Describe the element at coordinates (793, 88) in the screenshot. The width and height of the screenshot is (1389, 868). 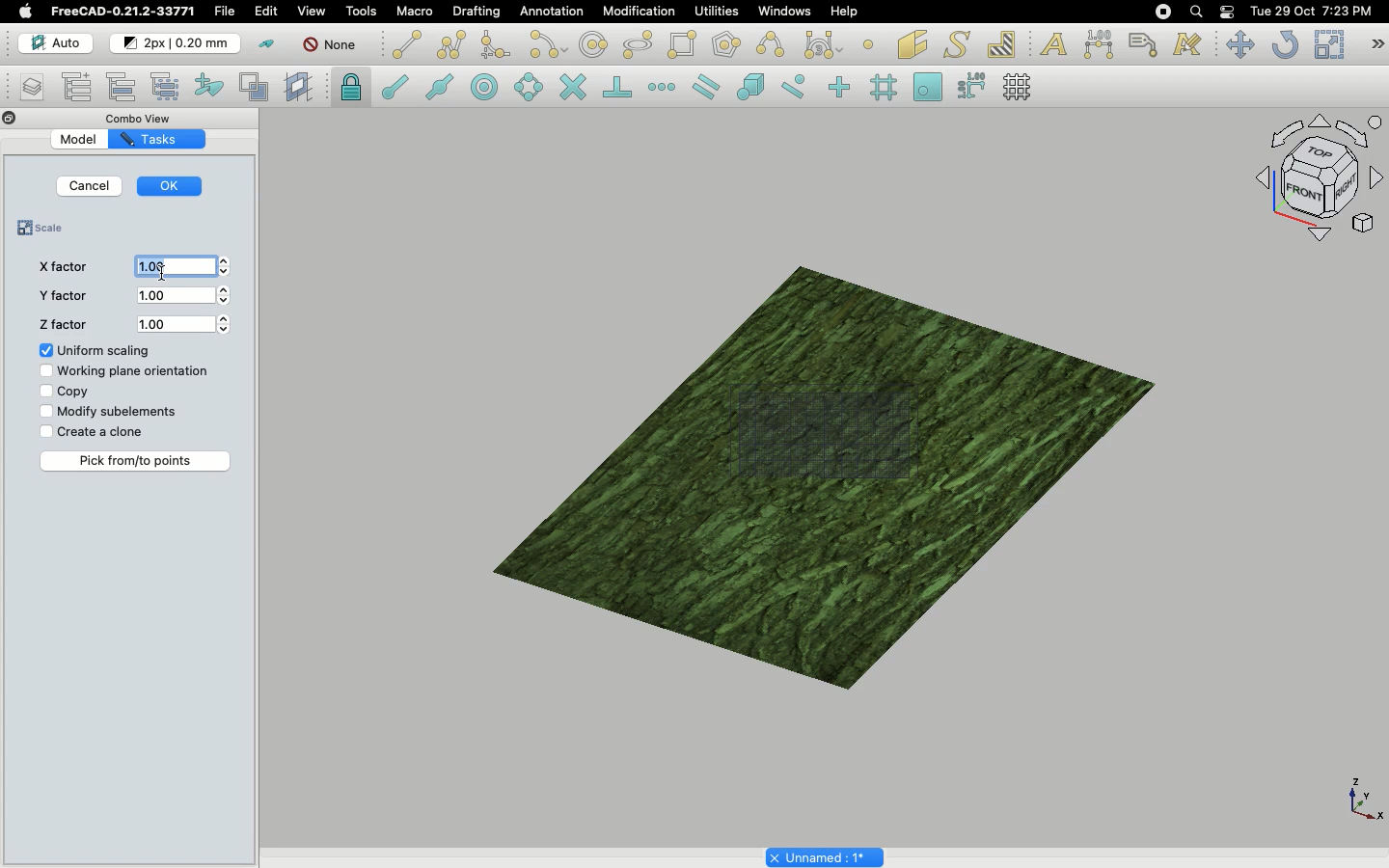
I see `Snap near` at that location.